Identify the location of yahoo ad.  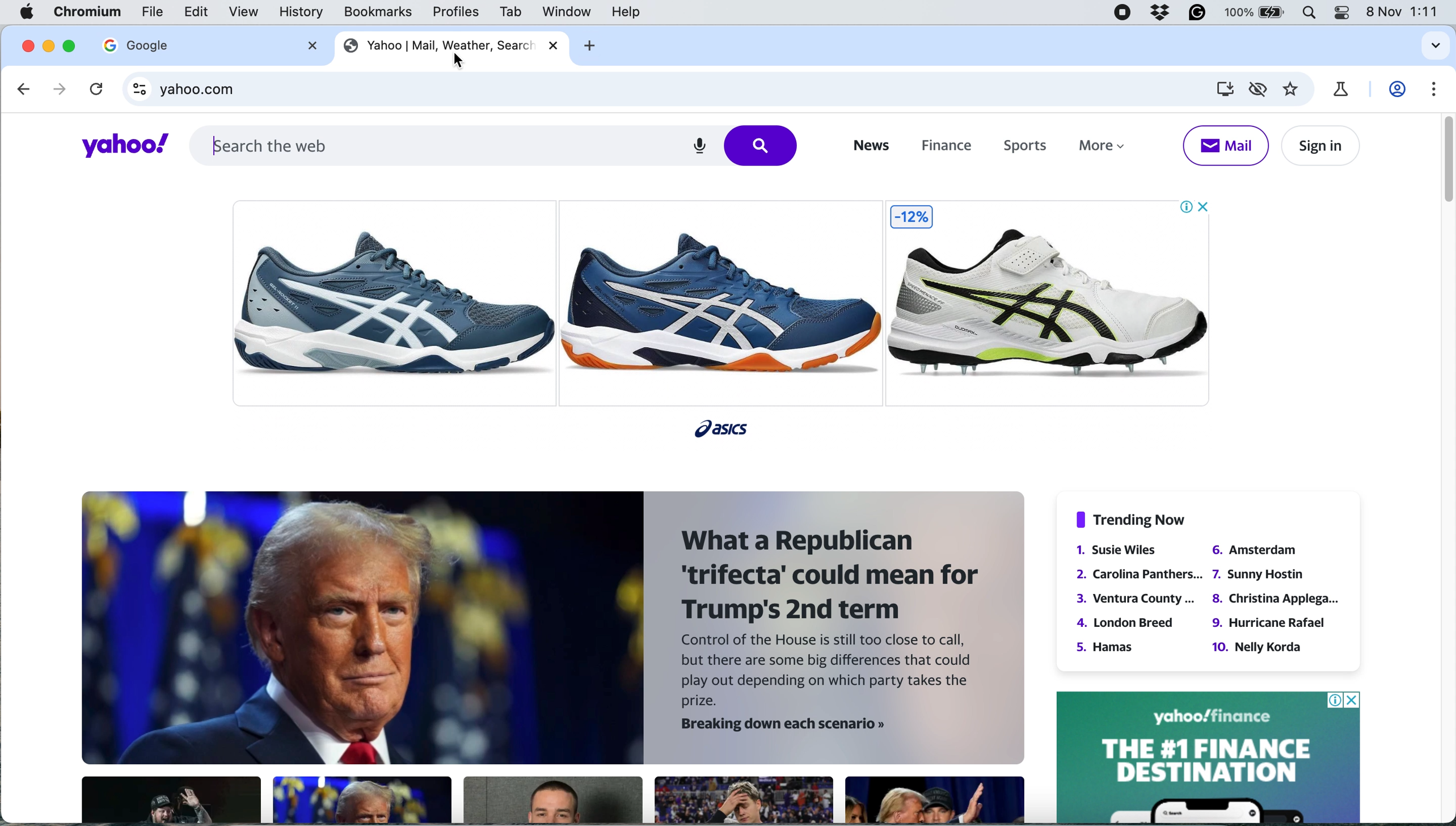
(1208, 756).